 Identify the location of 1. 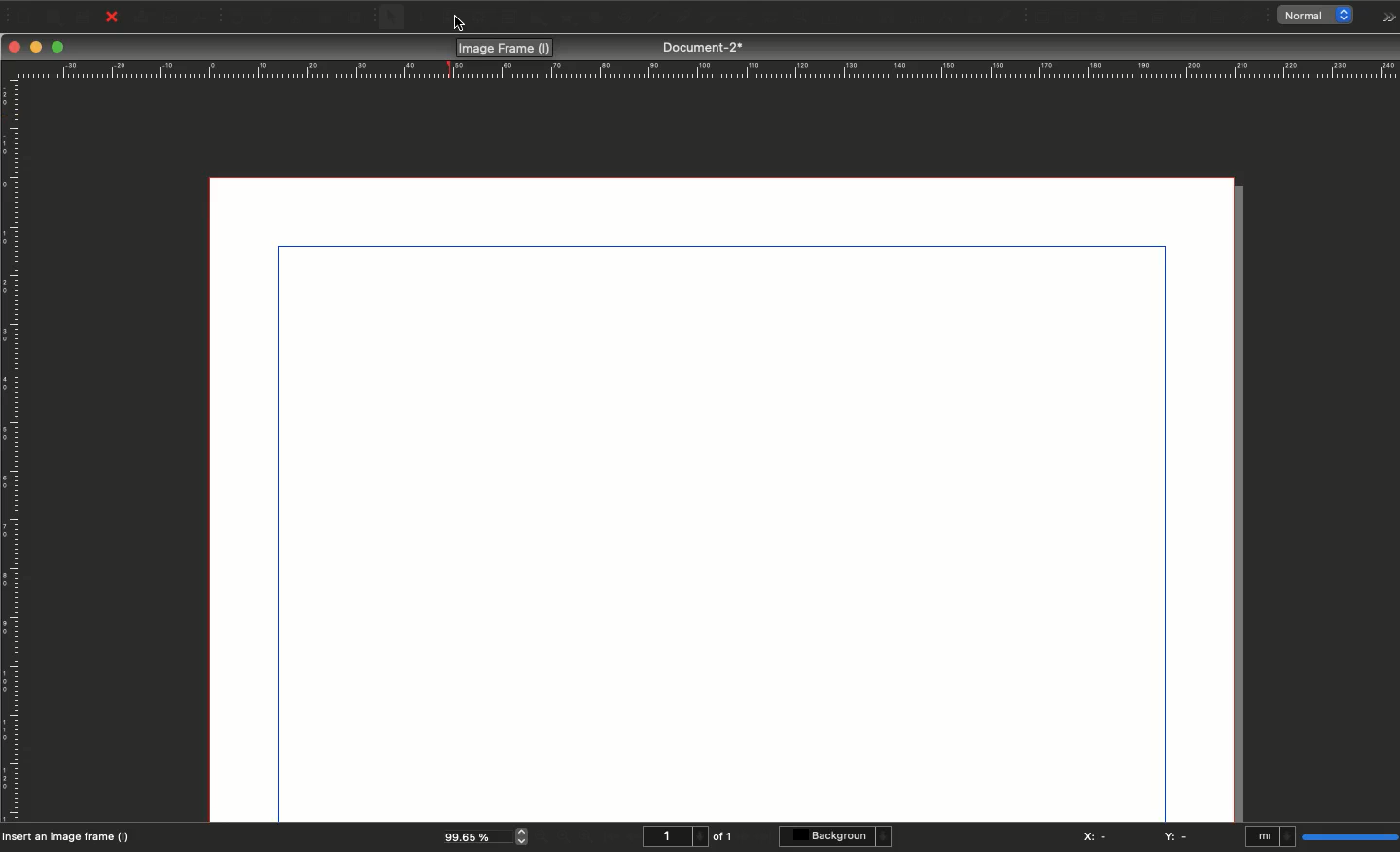
(673, 836).